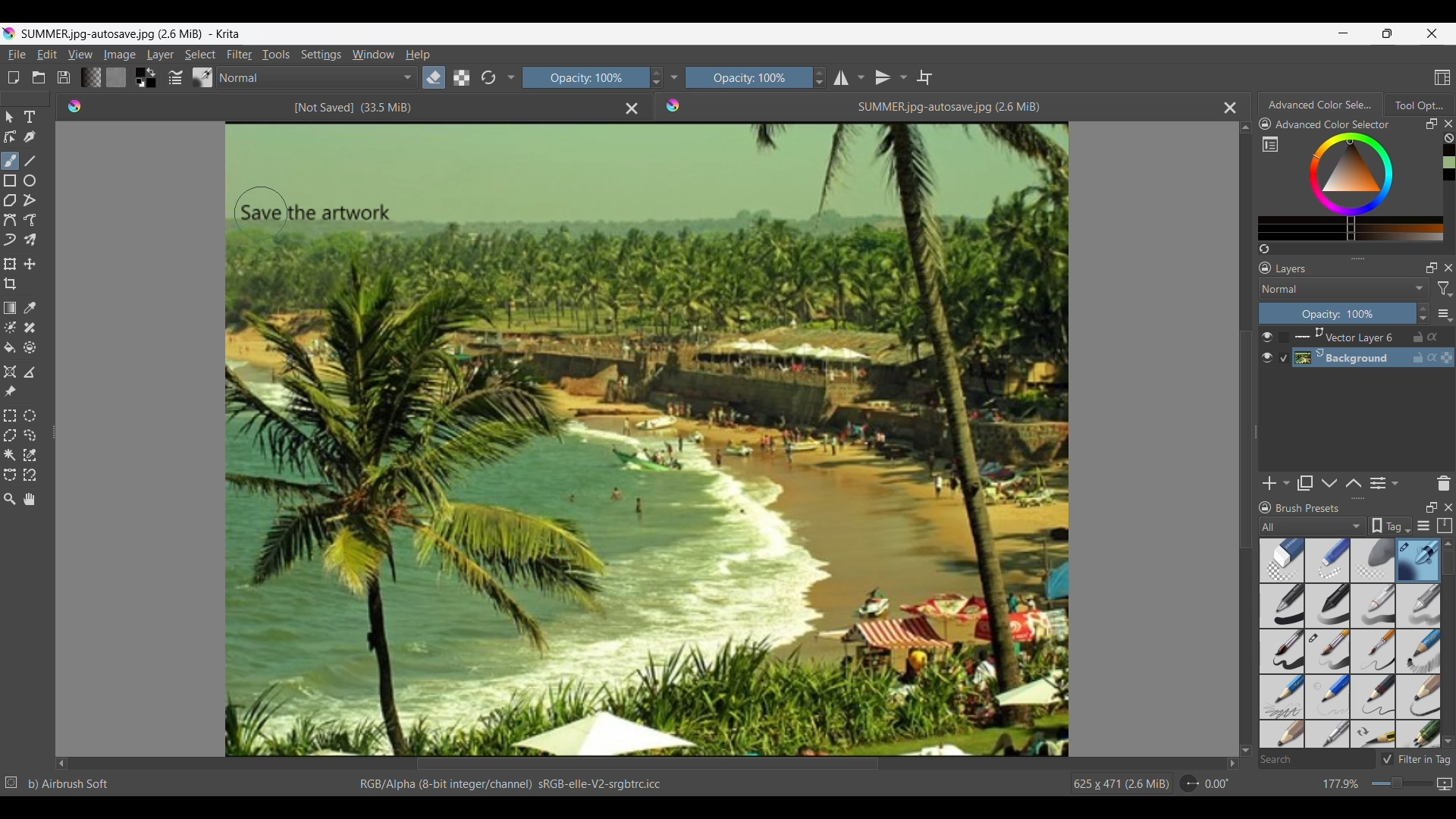  Describe the element at coordinates (462, 77) in the screenshot. I see `Preserve alpha` at that location.